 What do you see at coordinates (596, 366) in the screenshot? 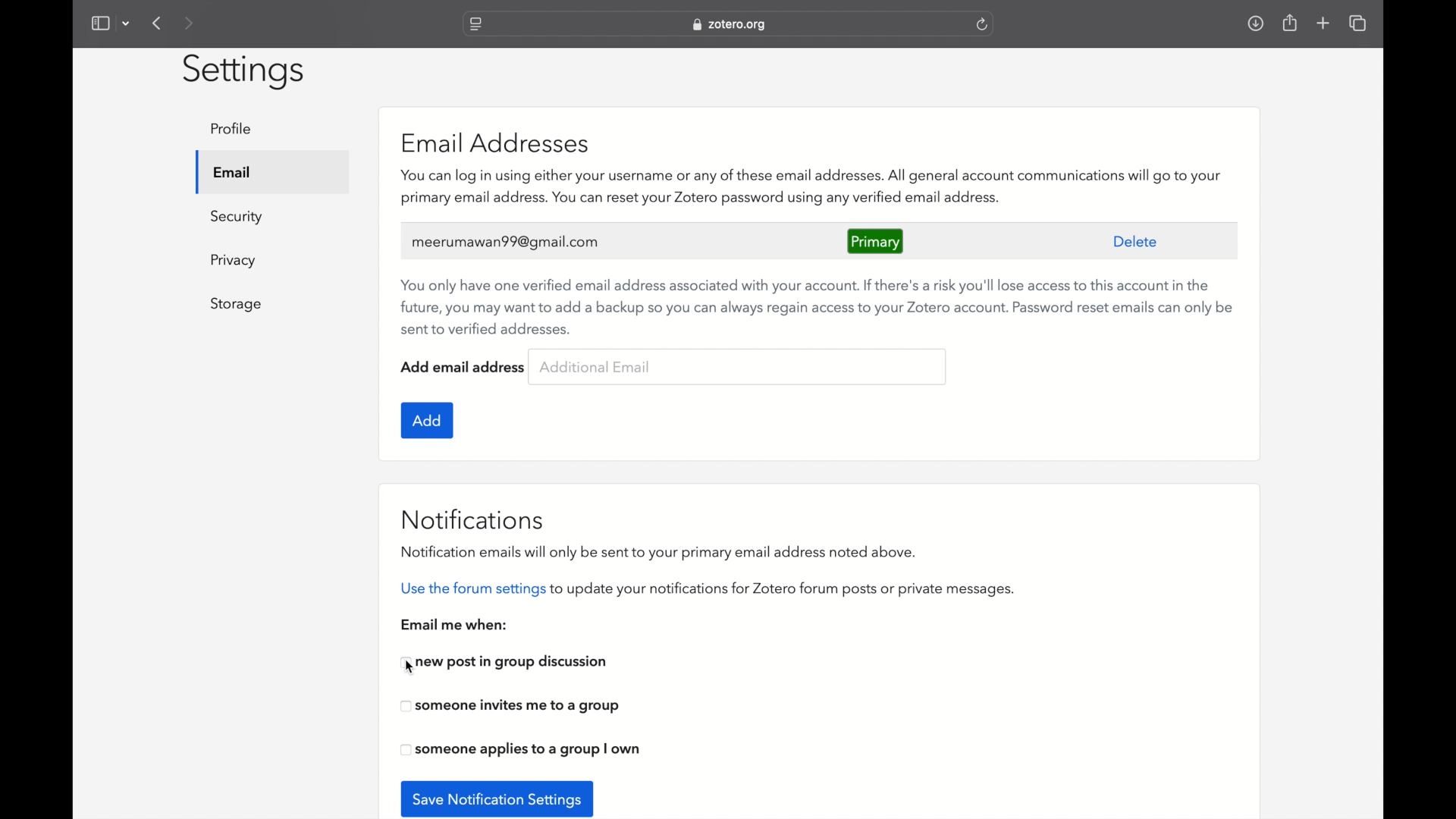
I see `additional email` at bounding box center [596, 366].